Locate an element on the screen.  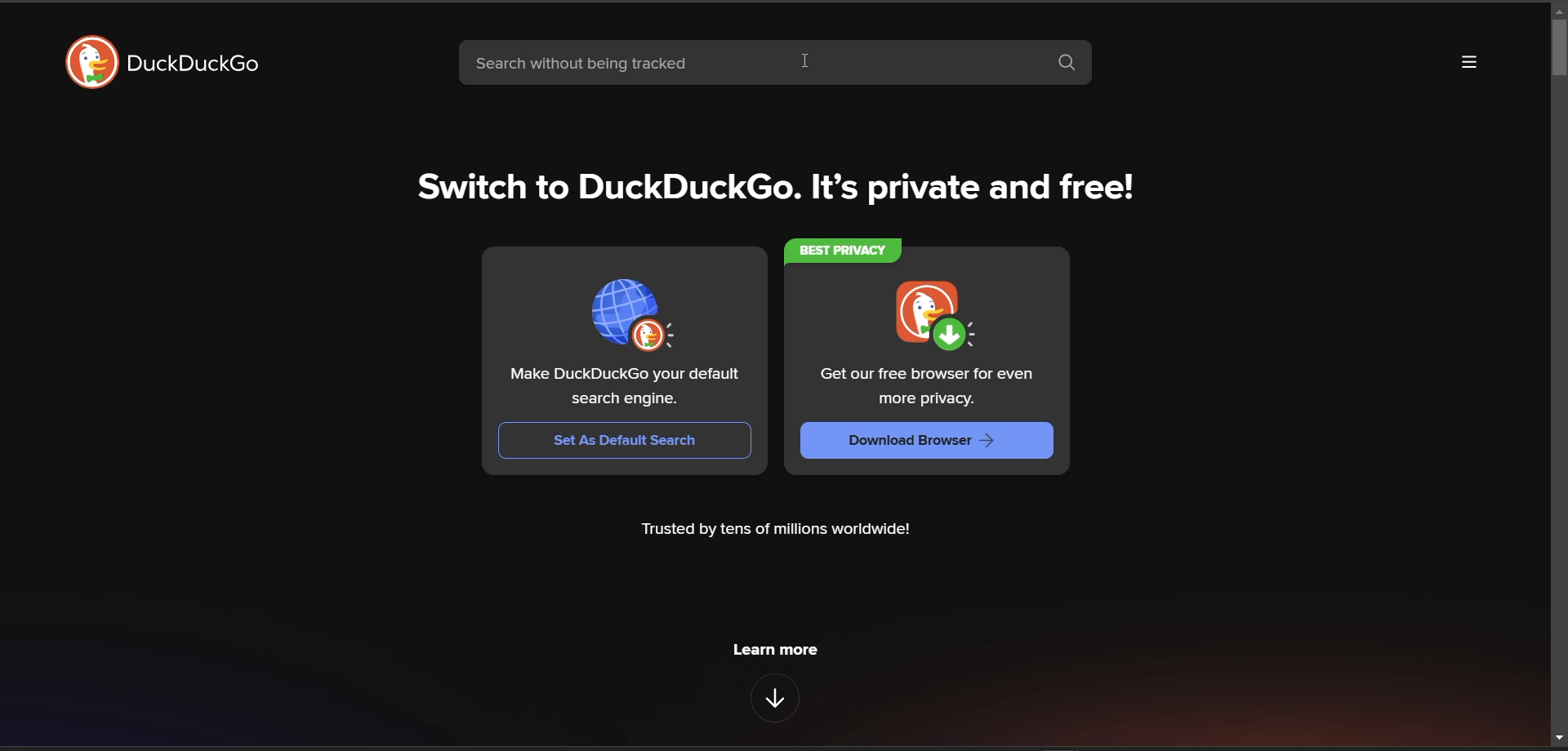
learn more is located at coordinates (781, 649).